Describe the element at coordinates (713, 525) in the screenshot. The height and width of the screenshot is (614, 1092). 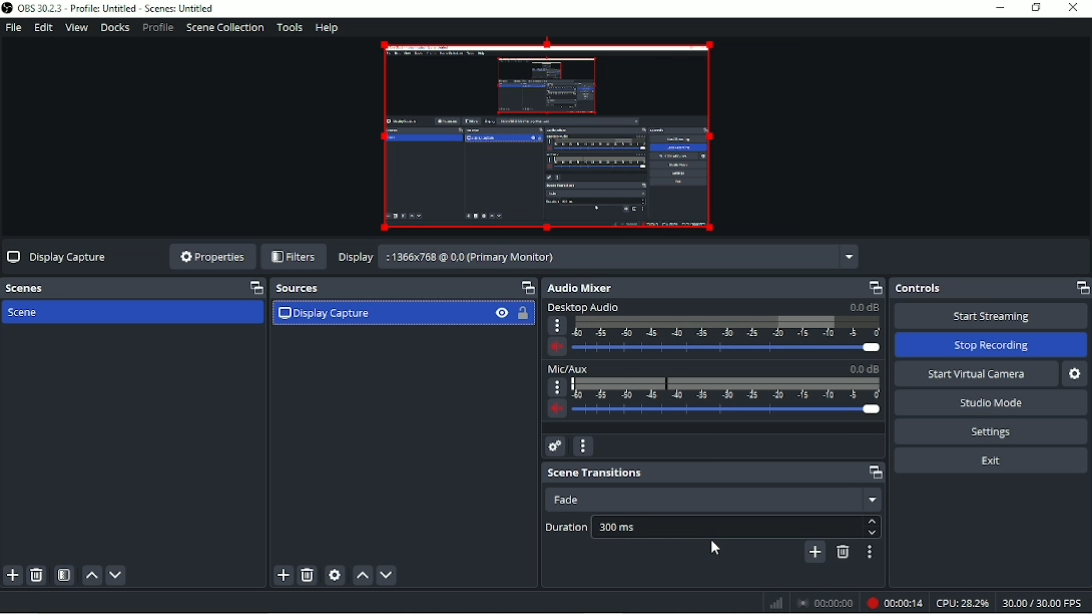
I see `Duration` at that location.